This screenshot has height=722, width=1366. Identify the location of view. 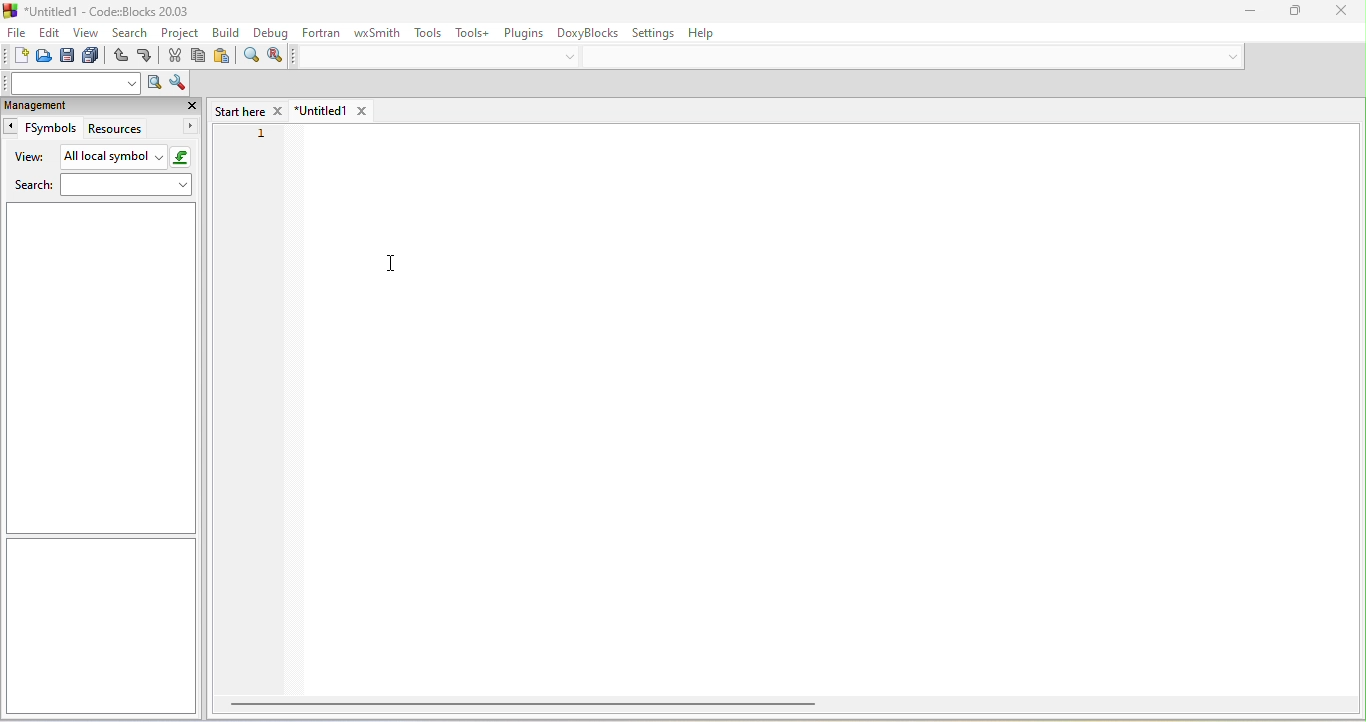
(85, 31).